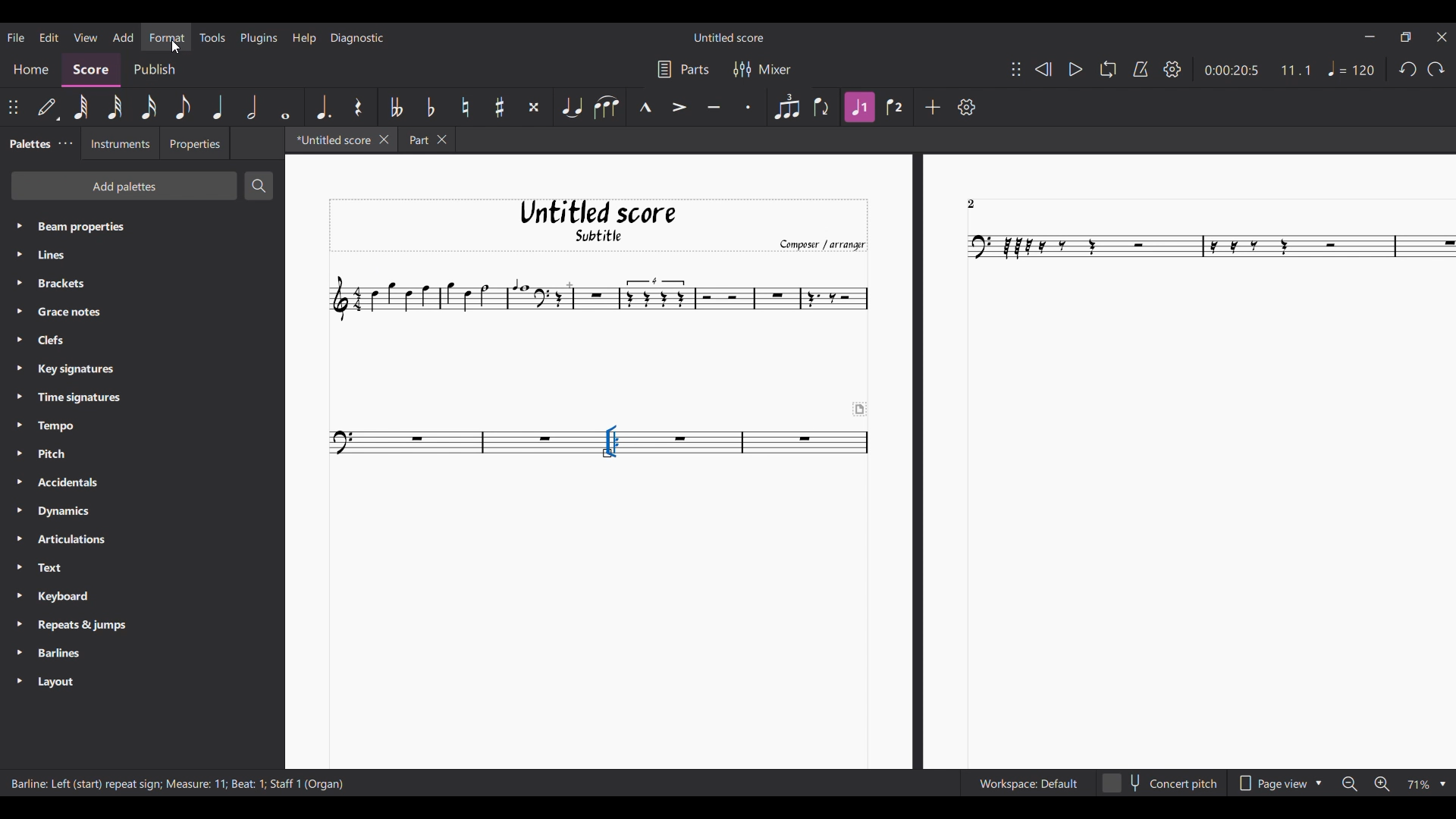 This screenshot has width=1456, height=819. Describe the element at coordinates (1280, 784) in the screenshot. I see `Page view options` at that location.